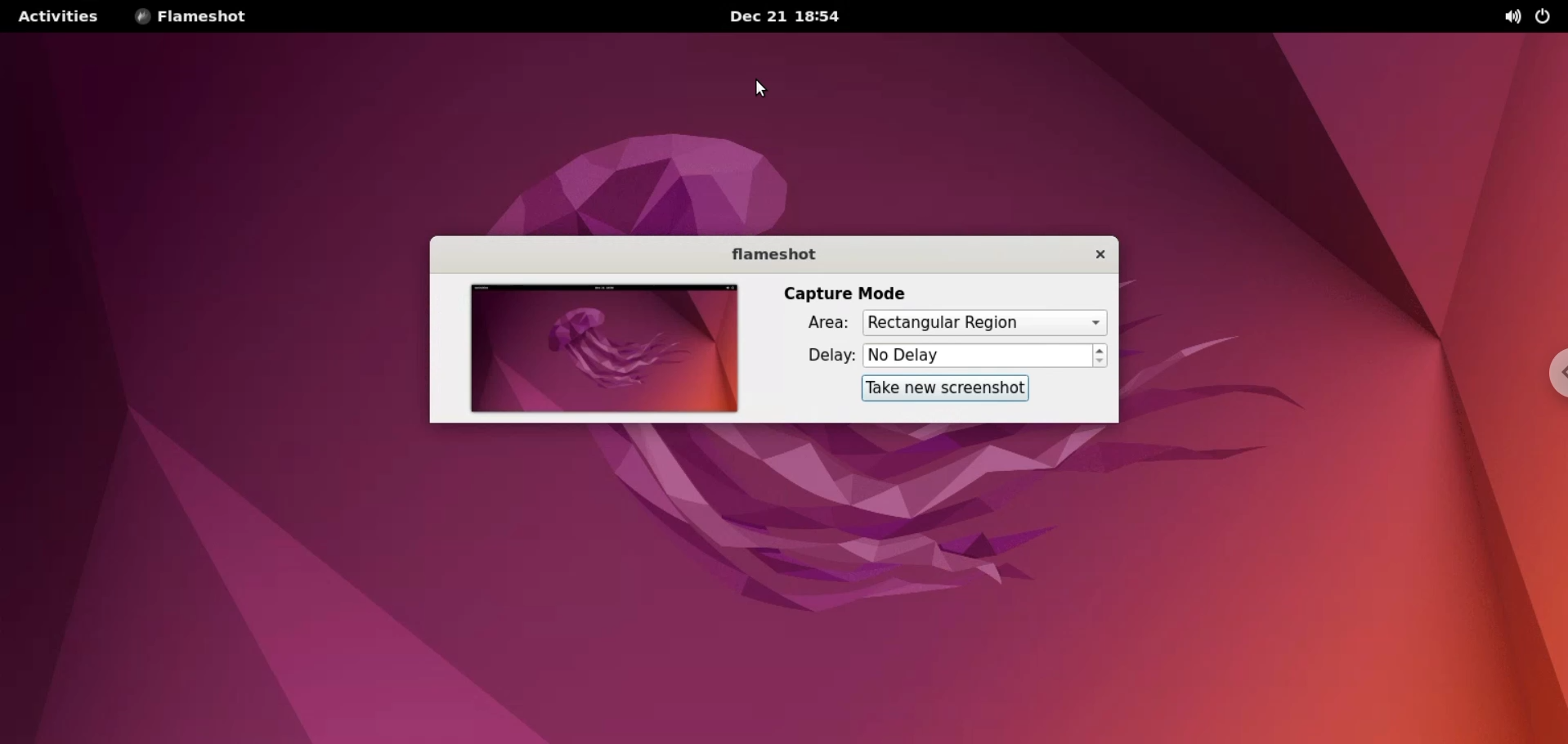  Describe the element at coordinates (1548, 17) in the screenshot. I see `power options` at that location.